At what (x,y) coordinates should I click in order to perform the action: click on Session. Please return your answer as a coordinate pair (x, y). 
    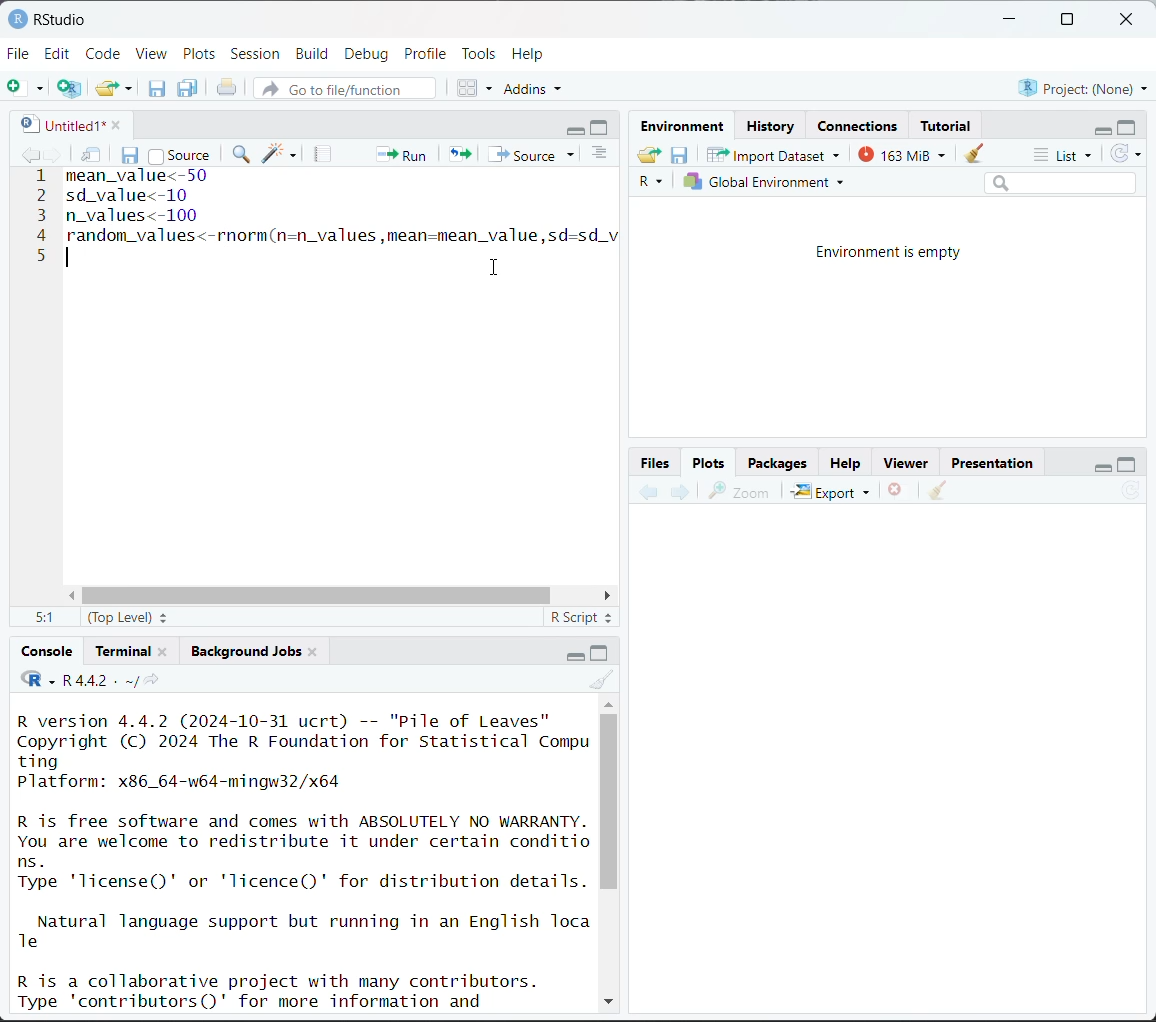
    Looking at the image, I should click on (256, 55).